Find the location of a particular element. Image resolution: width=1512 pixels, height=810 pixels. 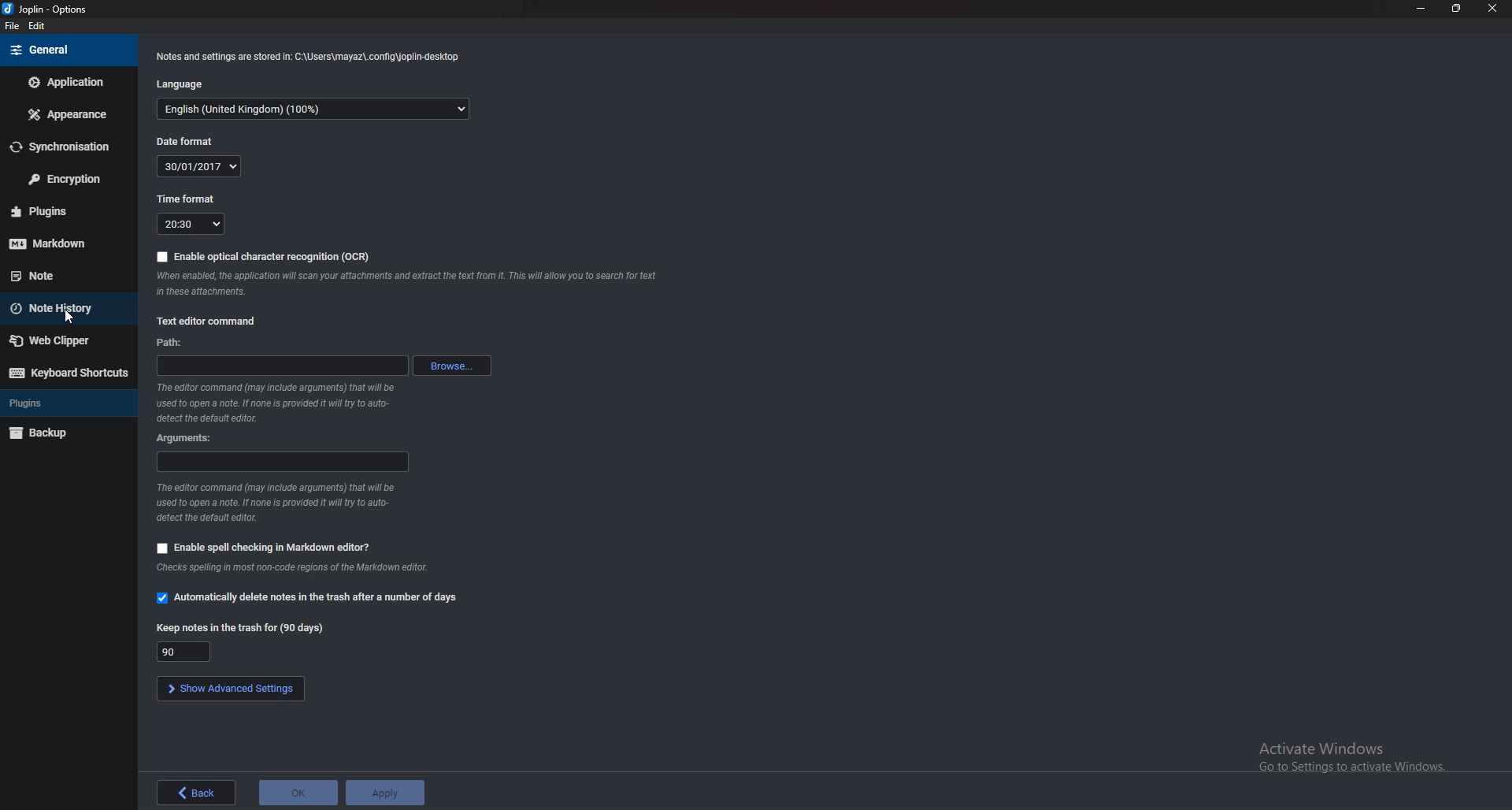

Appearance is located at coordinates (69, 115).